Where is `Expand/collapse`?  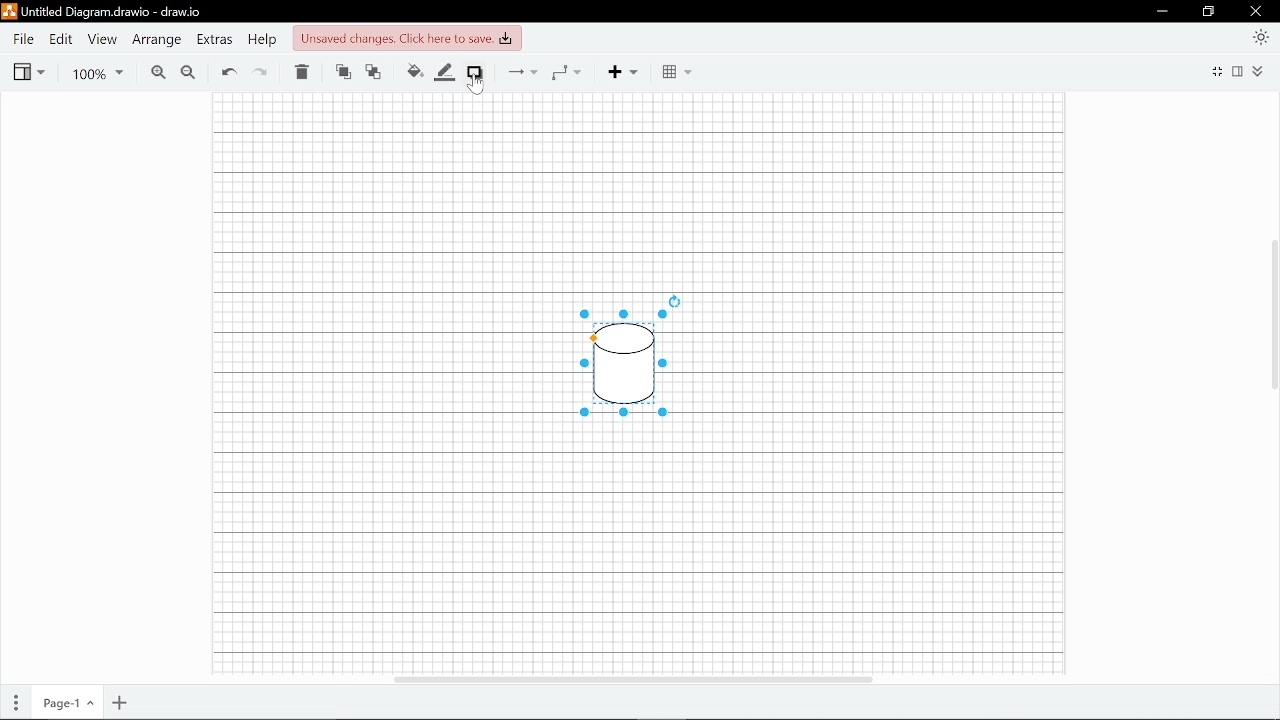 Expand/collapse is located at coordinates (1258, 72).